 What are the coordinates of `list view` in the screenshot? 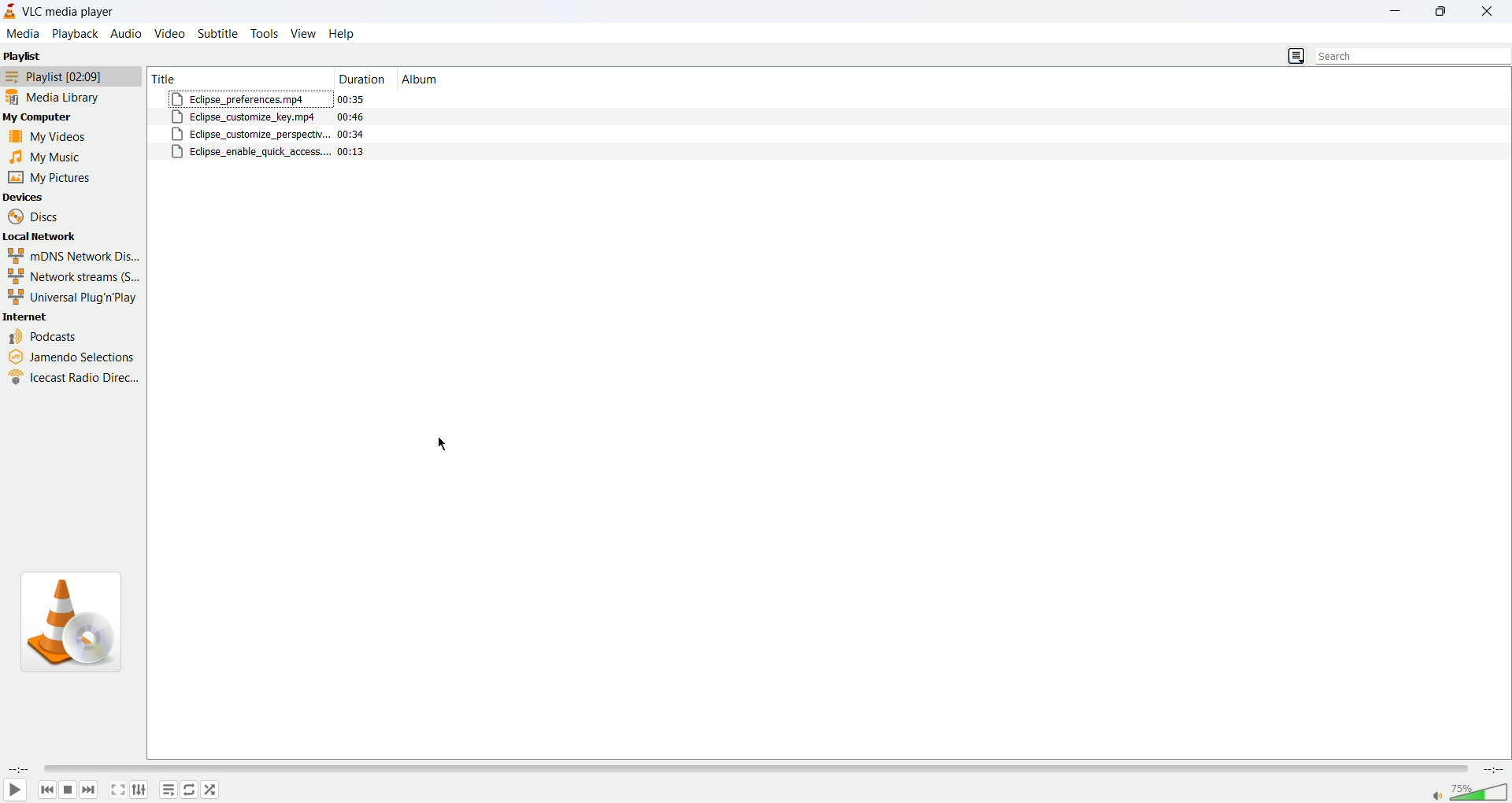 It's located at (1296, 56).